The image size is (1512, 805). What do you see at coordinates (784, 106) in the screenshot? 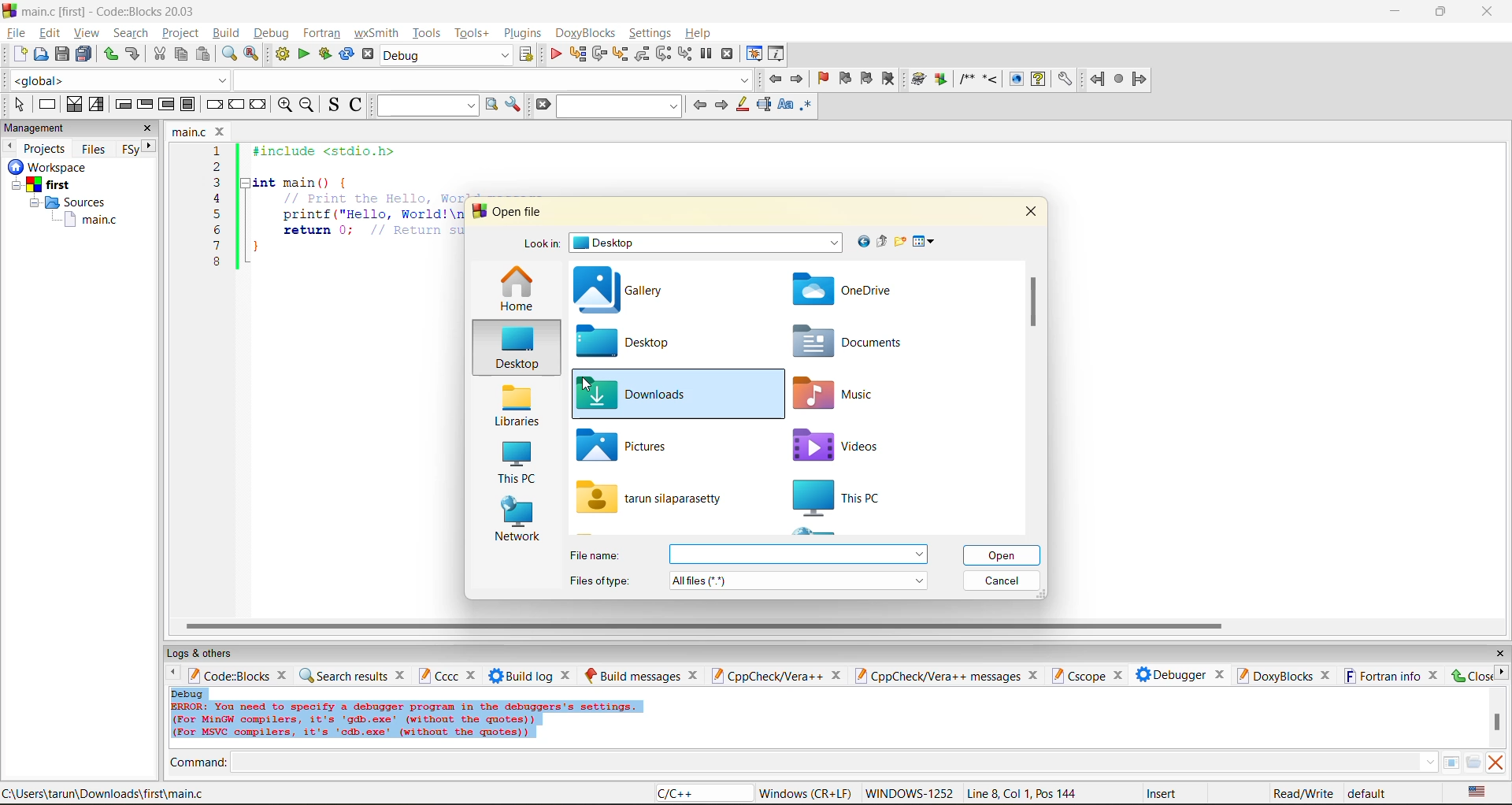
I see `match case` at bounding box center [784, 106].